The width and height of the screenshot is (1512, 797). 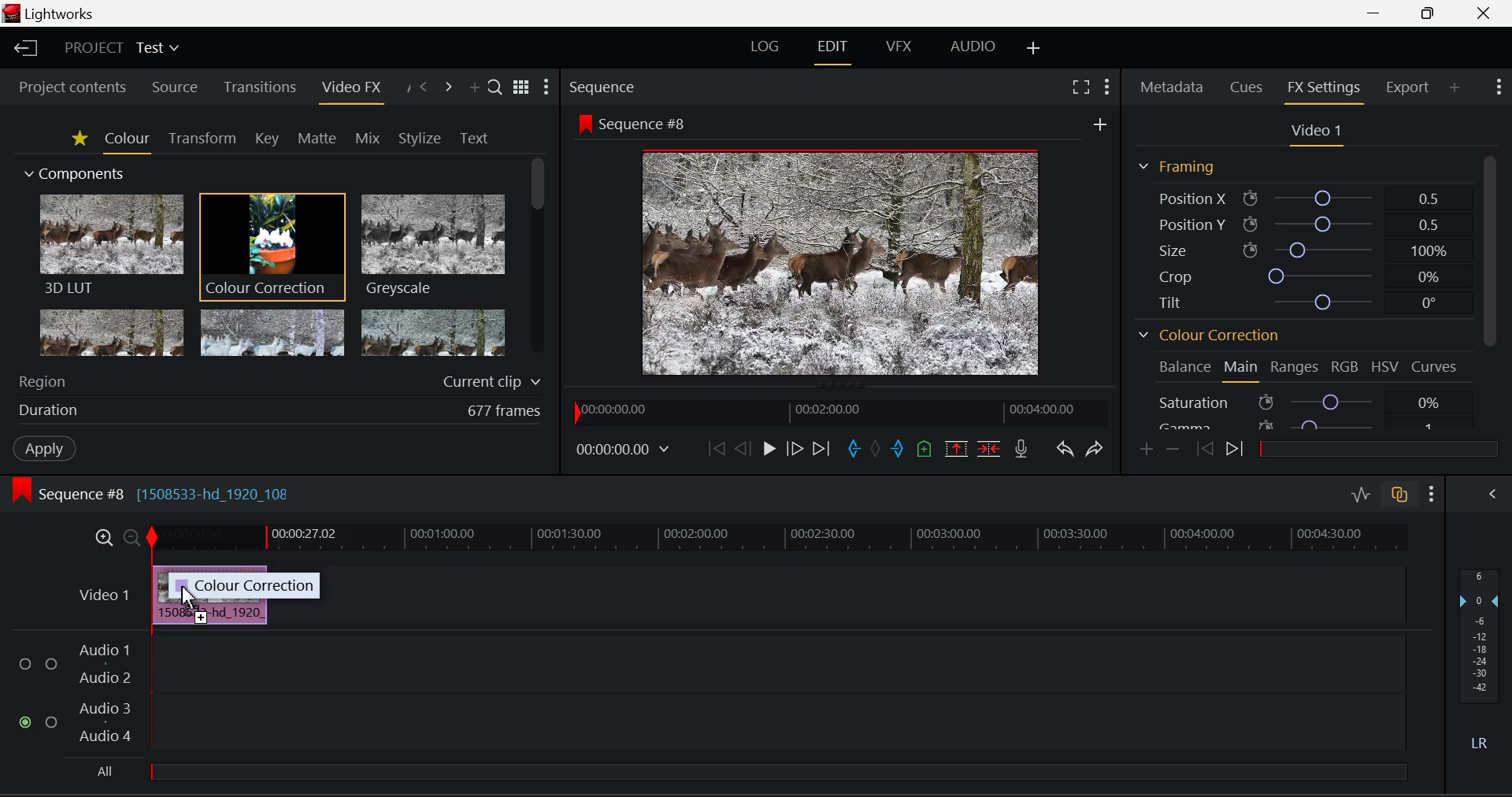 I want to click on Matte, so click(x=317, y=139).